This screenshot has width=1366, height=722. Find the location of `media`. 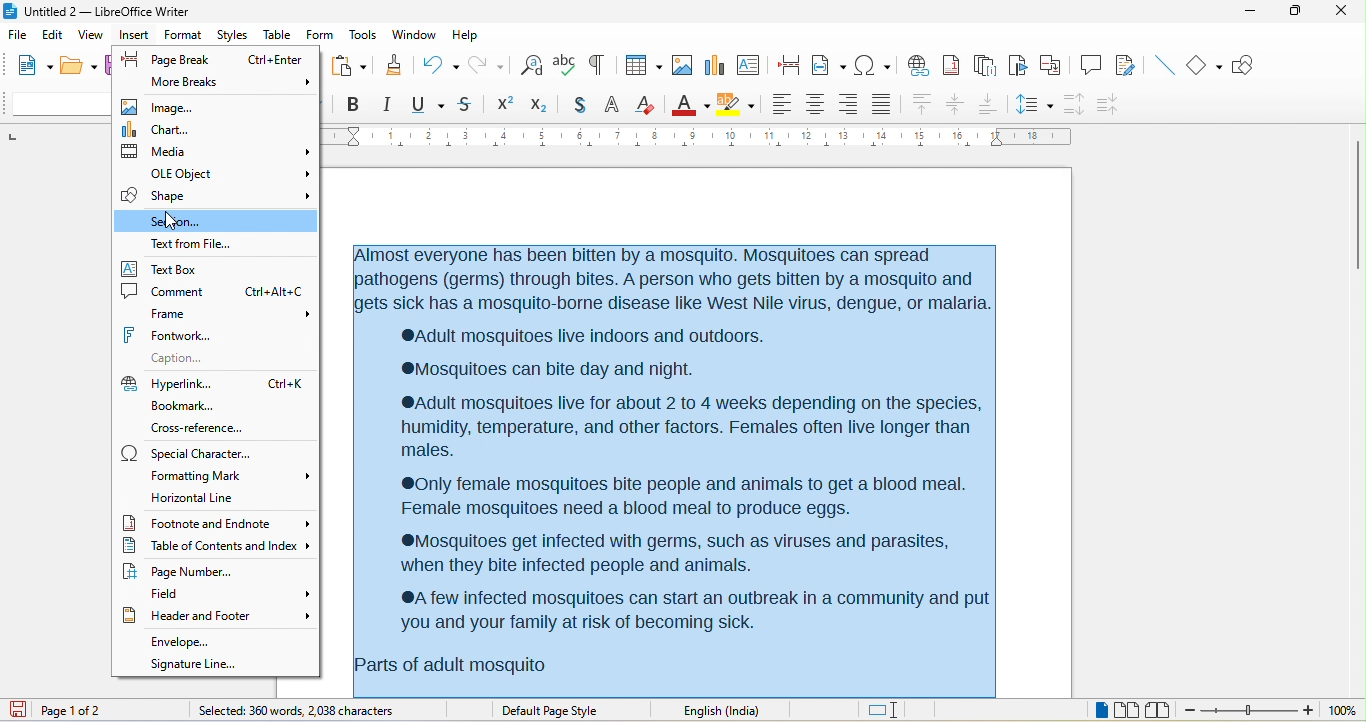

media is located at coordinates (212, 152).